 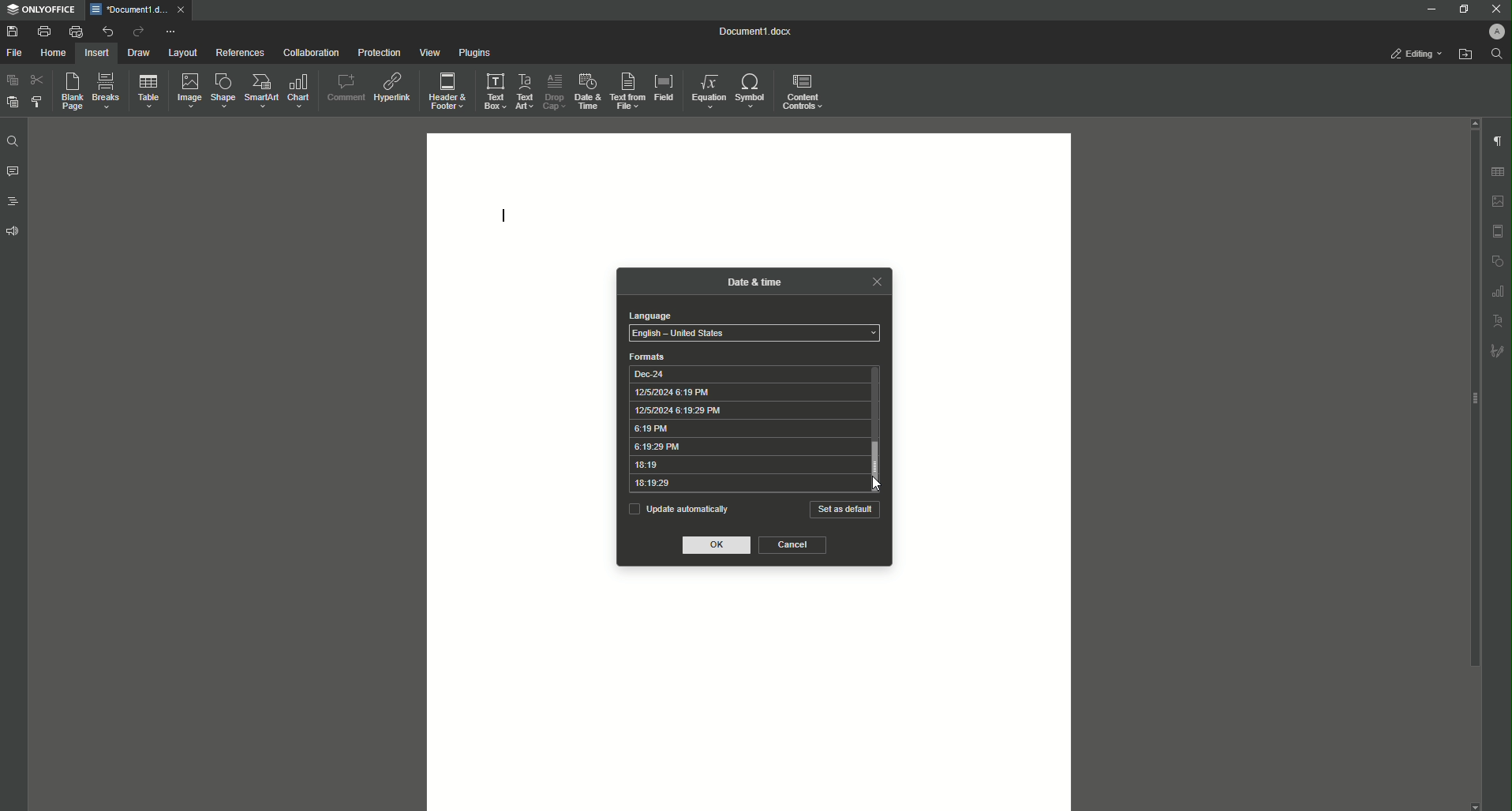 What do you see at coordinates (747, 429) in the screenshot?
I see `6:19 PM` at bounding box center [747, 429].